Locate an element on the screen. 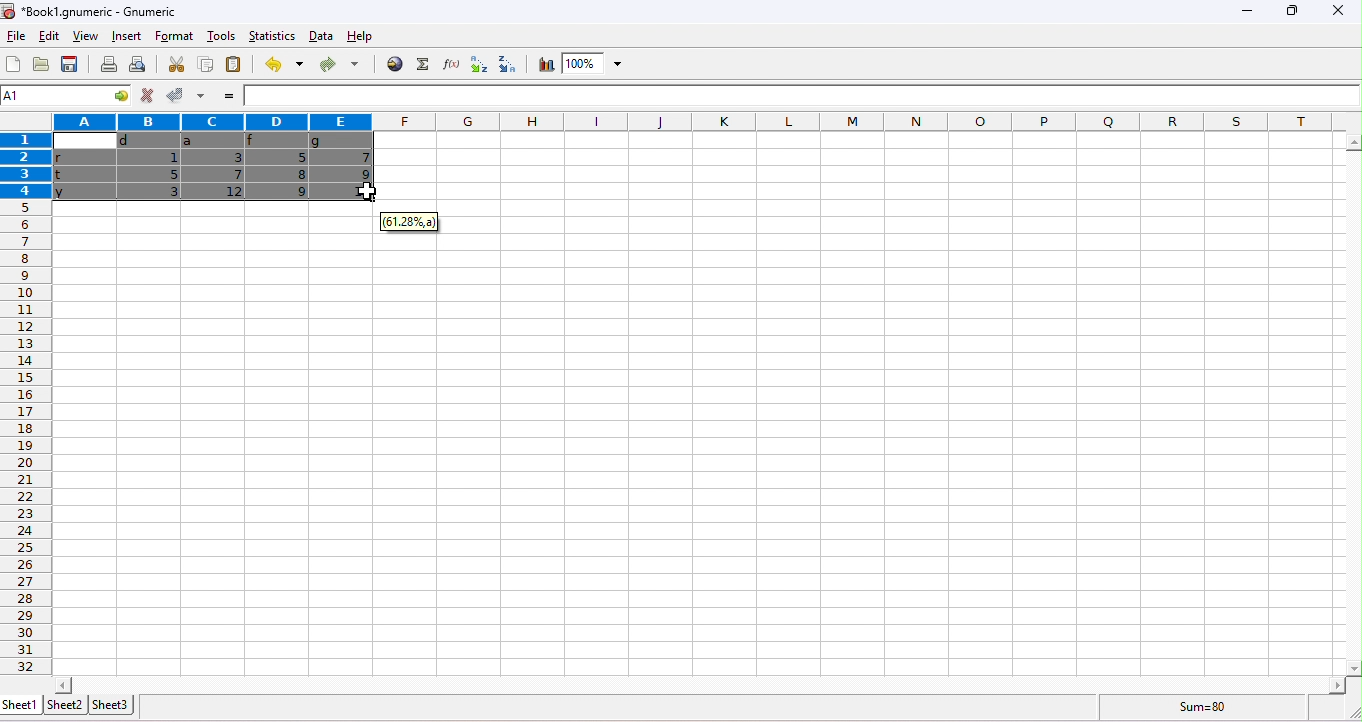 The image size is (1362, 722). minimize is located at coordinates (1247, 14).